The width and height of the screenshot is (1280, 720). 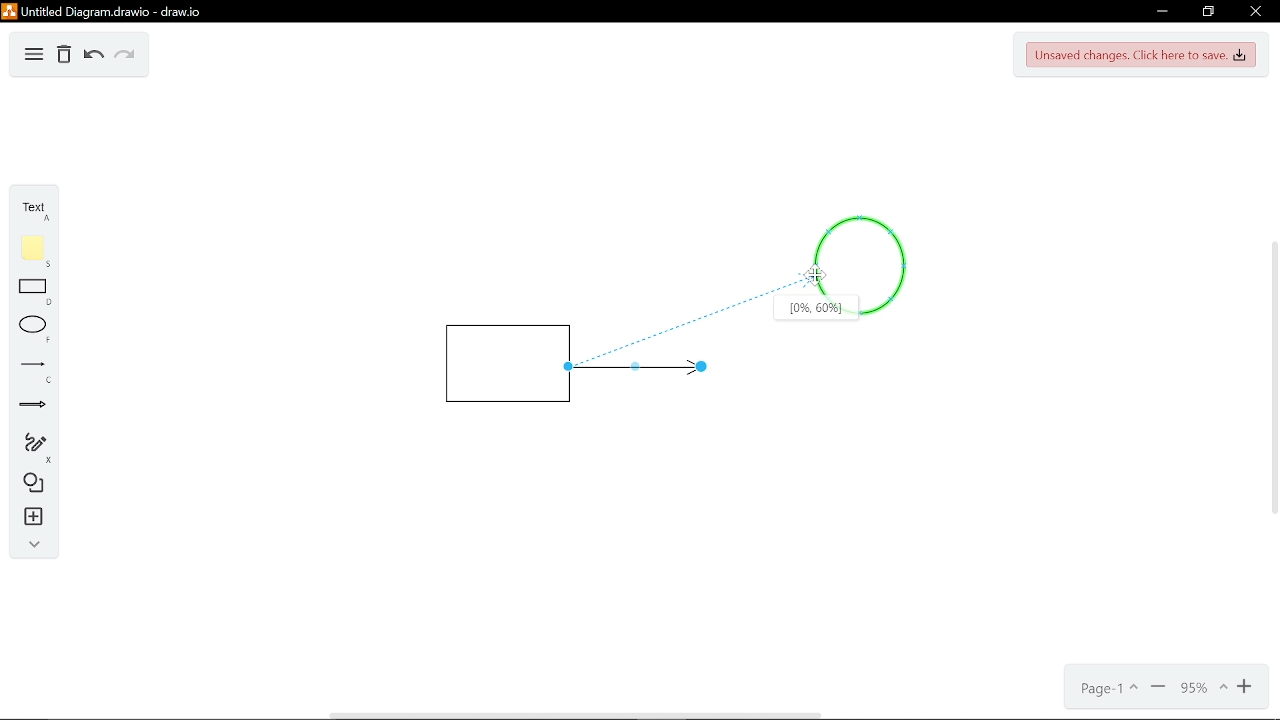 What do you see at coordinates (29, 292) in the screenshot?
I see `Rectangle` at bounding box center [29, 292].